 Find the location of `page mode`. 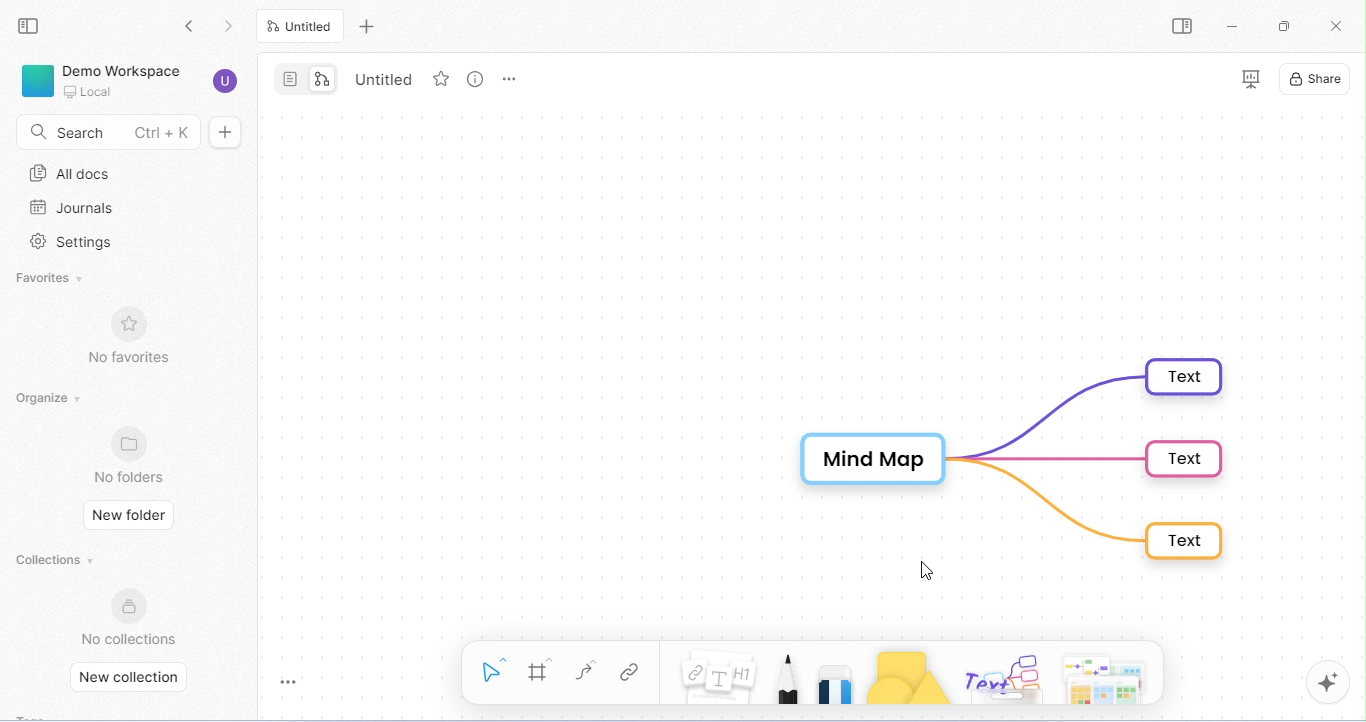

page mode is located at coordinates (289, 78).